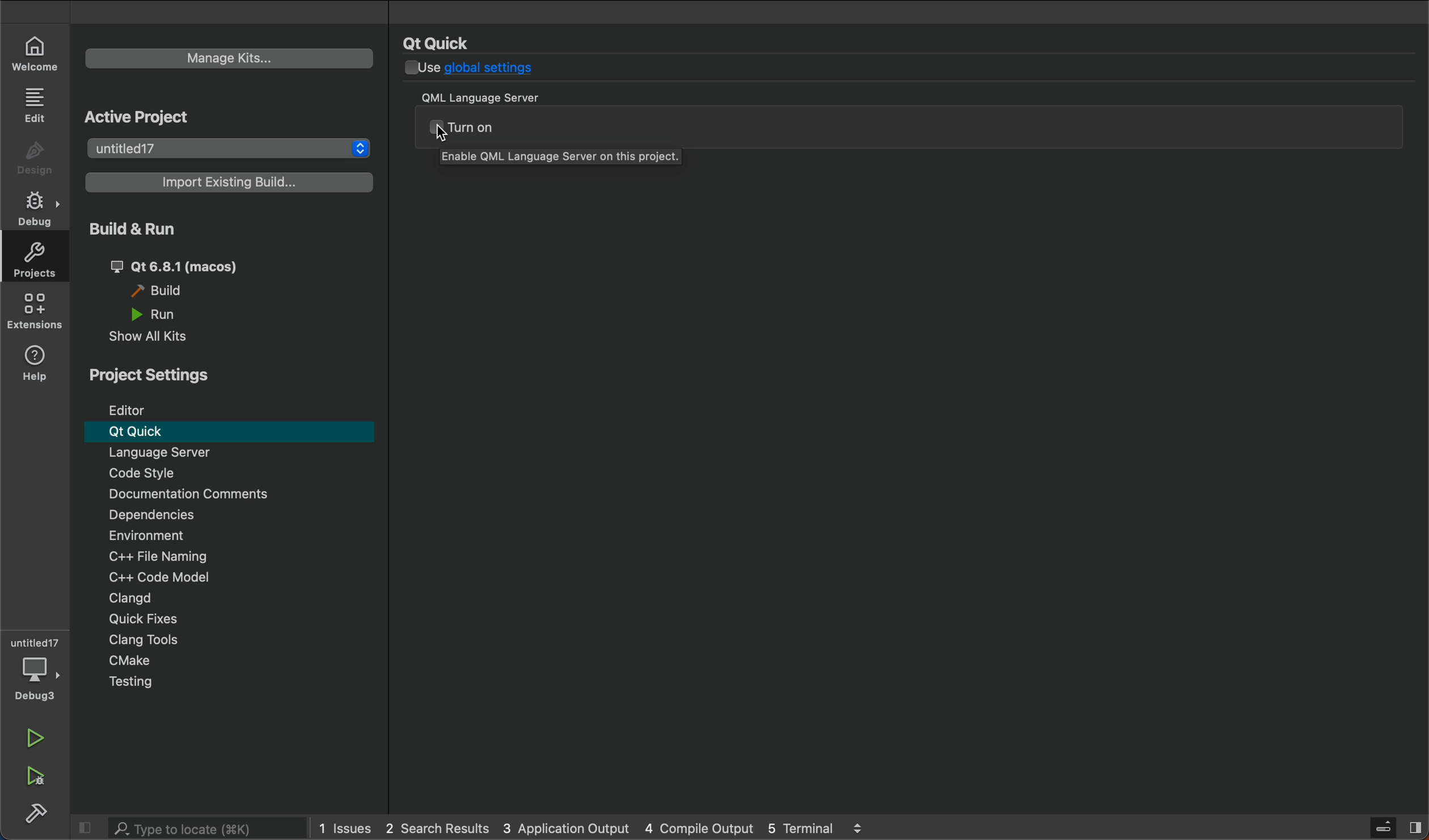  I want to click on quick fixes, so click(231, 618).